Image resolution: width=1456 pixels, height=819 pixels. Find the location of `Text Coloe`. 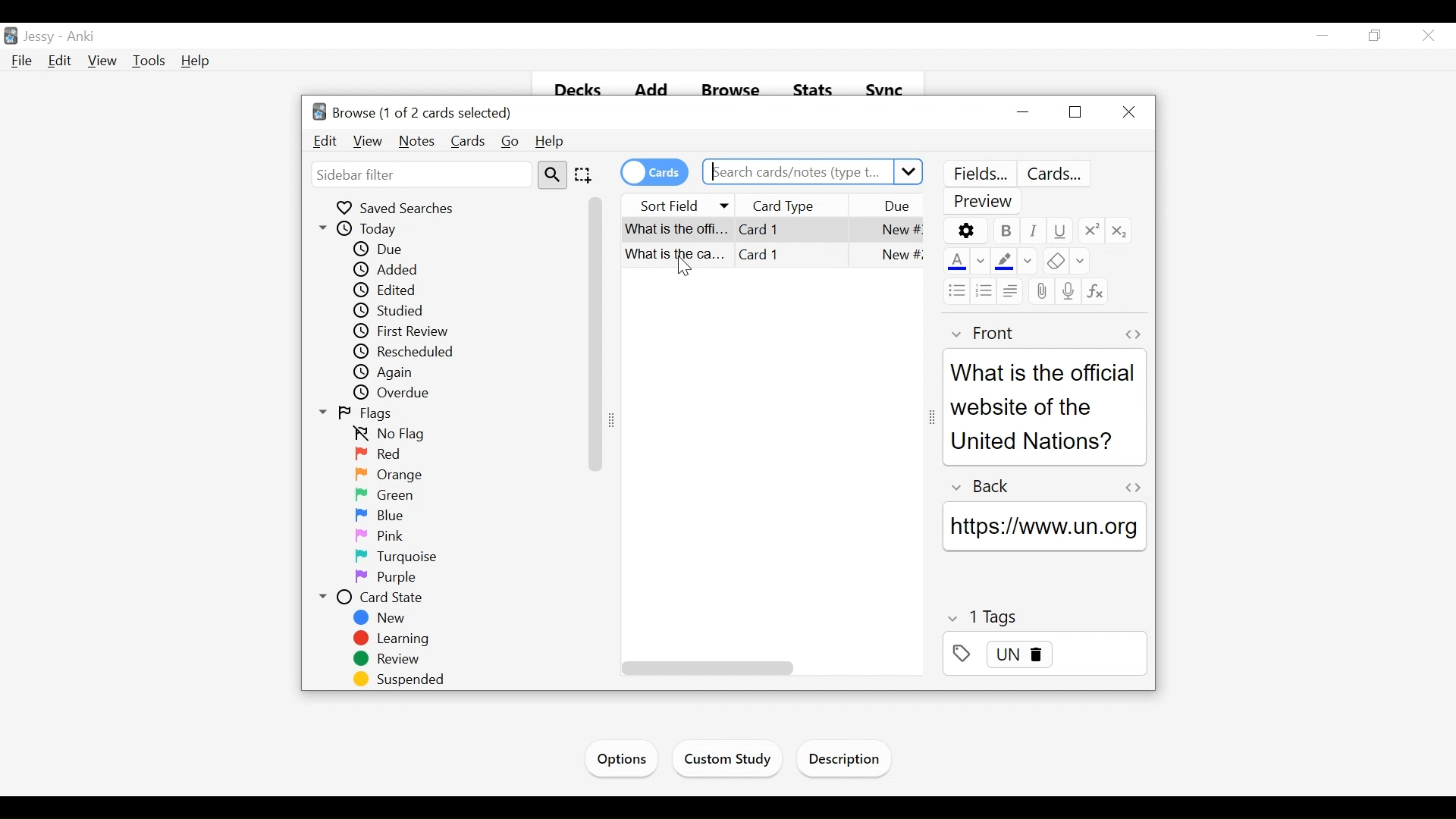

Text Coloe is located at coordinates (955, 262).